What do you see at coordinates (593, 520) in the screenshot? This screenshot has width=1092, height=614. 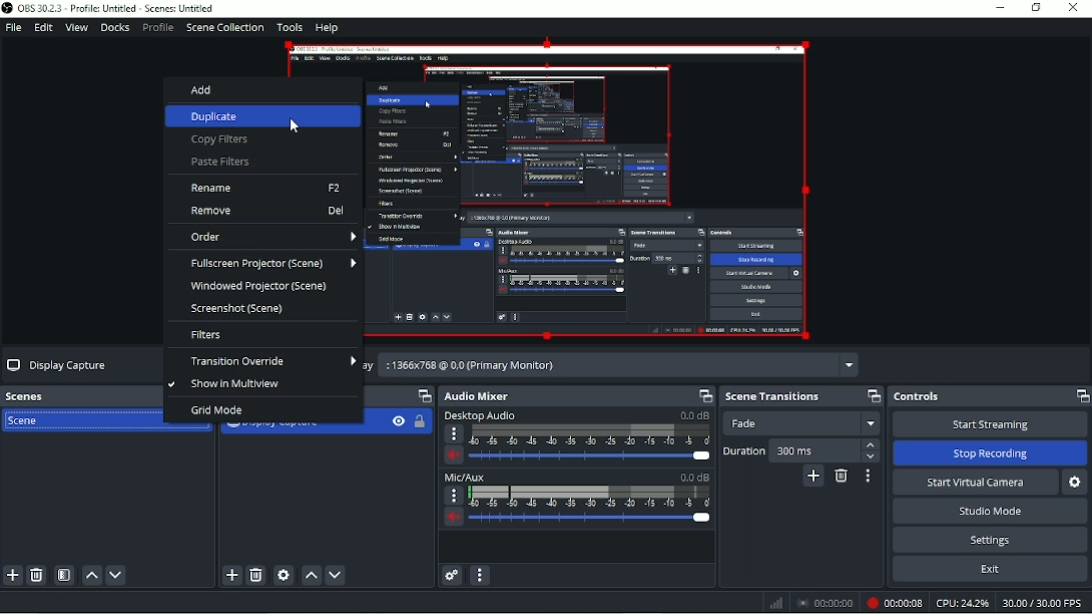 I see `Slider` at bounding box center [593, 520].